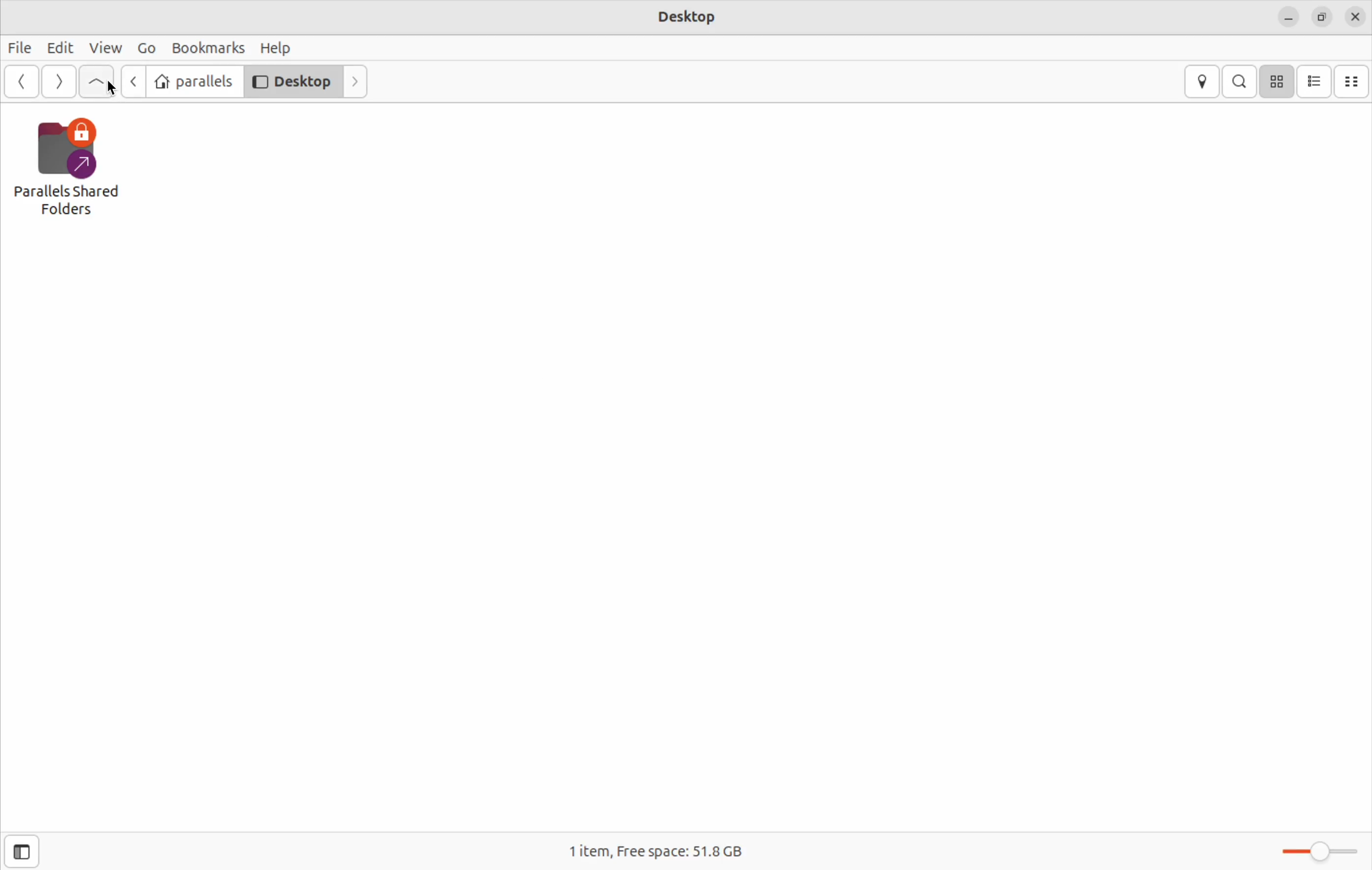  What do you see at coordinates (358, 81) in the screenshot?
I see `Go next` at bounding box center [358, 81].